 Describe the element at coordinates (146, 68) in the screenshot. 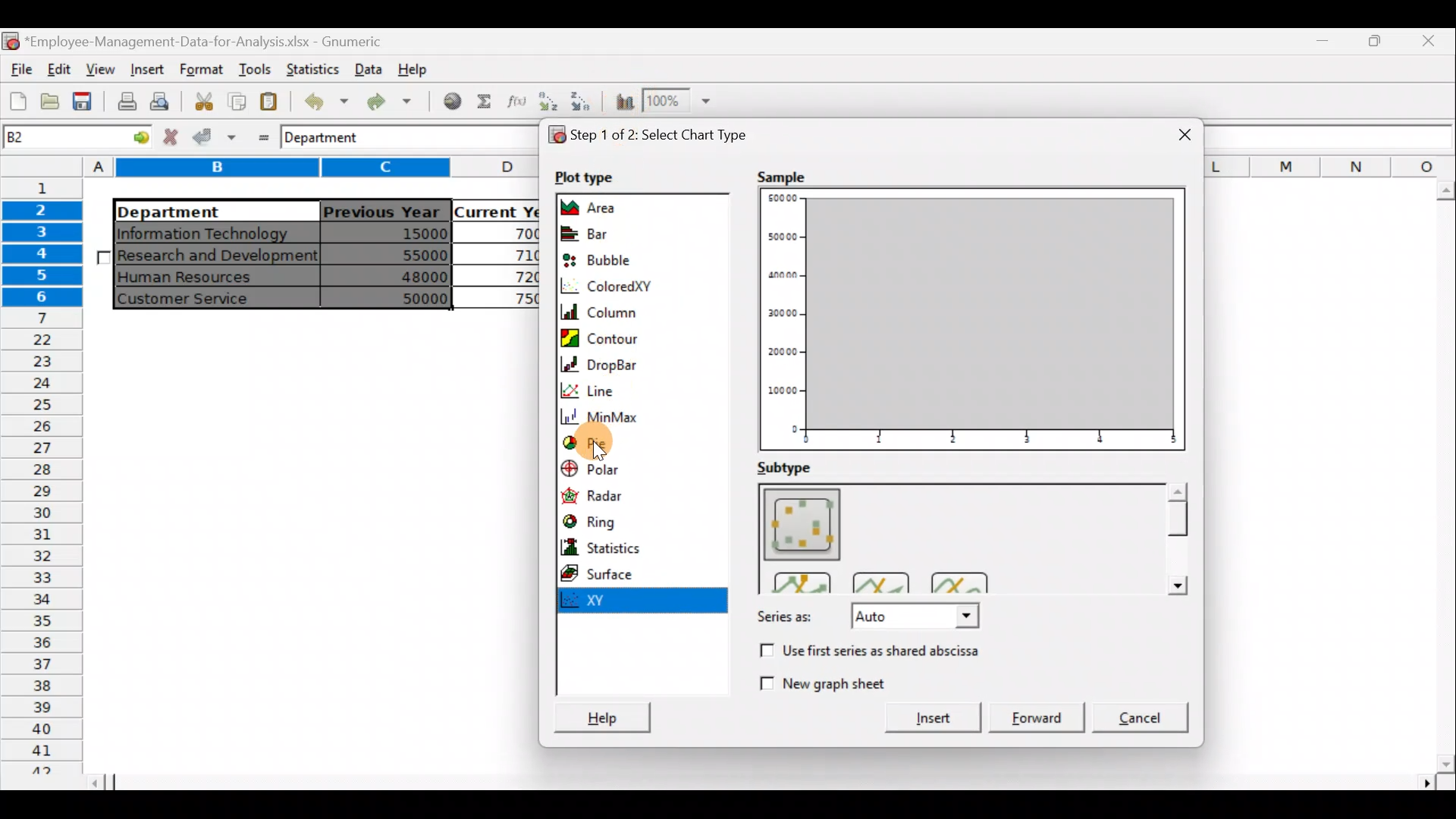

I see `Insert` at that location.